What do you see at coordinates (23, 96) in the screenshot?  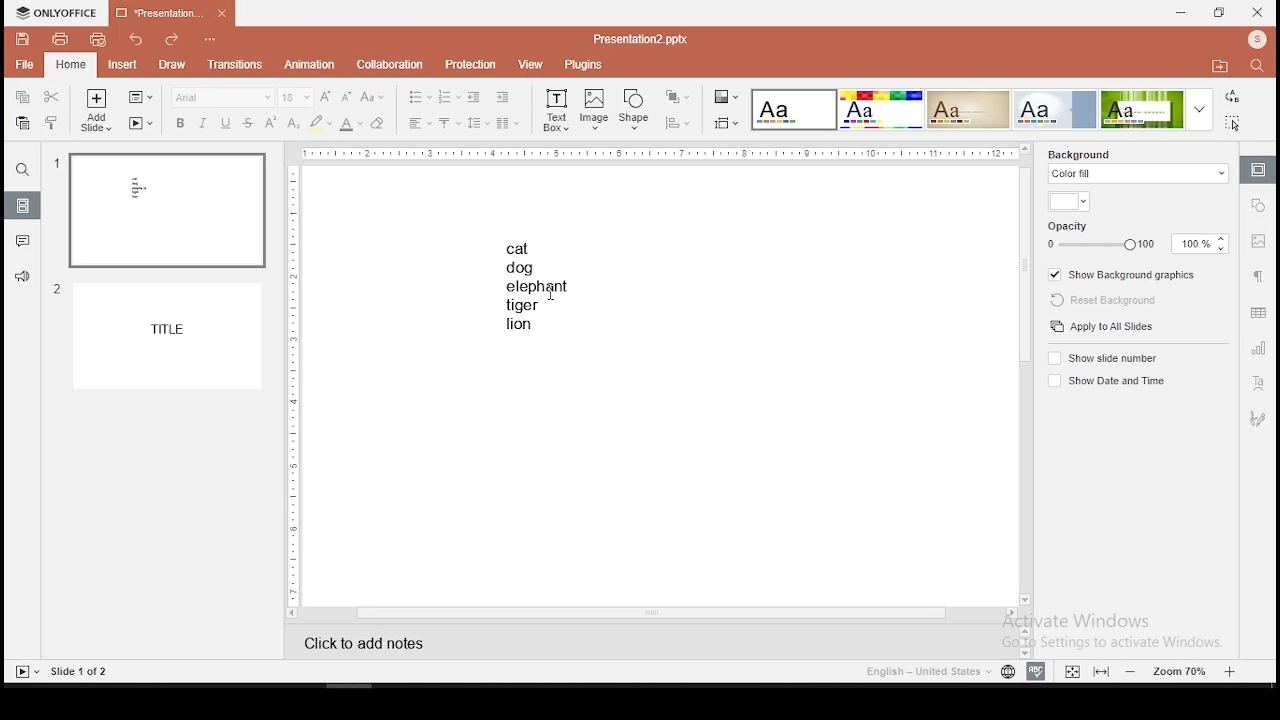 I see `copy` at bounding box center [23, 96].